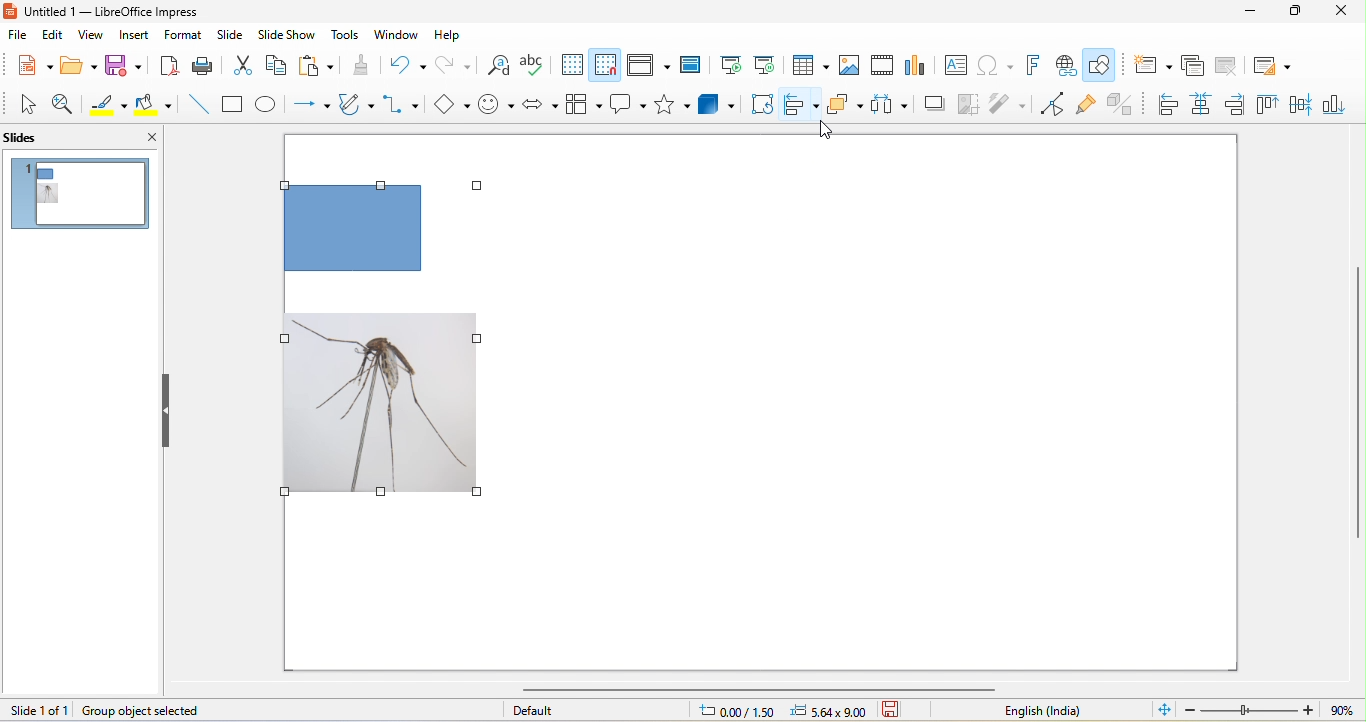  I want to click on start from current slide, so click(766, 67).